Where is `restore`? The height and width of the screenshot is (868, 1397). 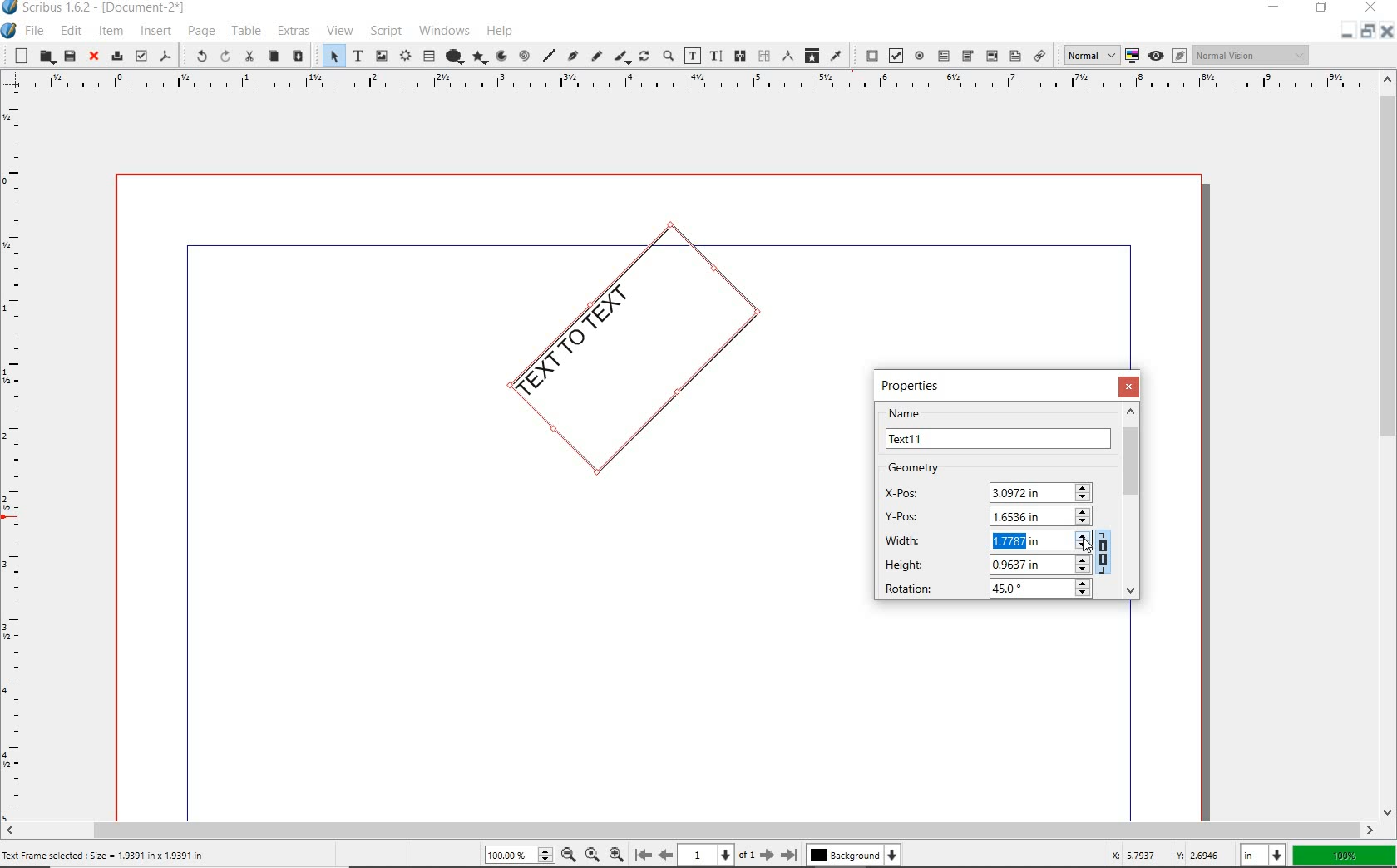
restore is located at coordinates (1370, 34).